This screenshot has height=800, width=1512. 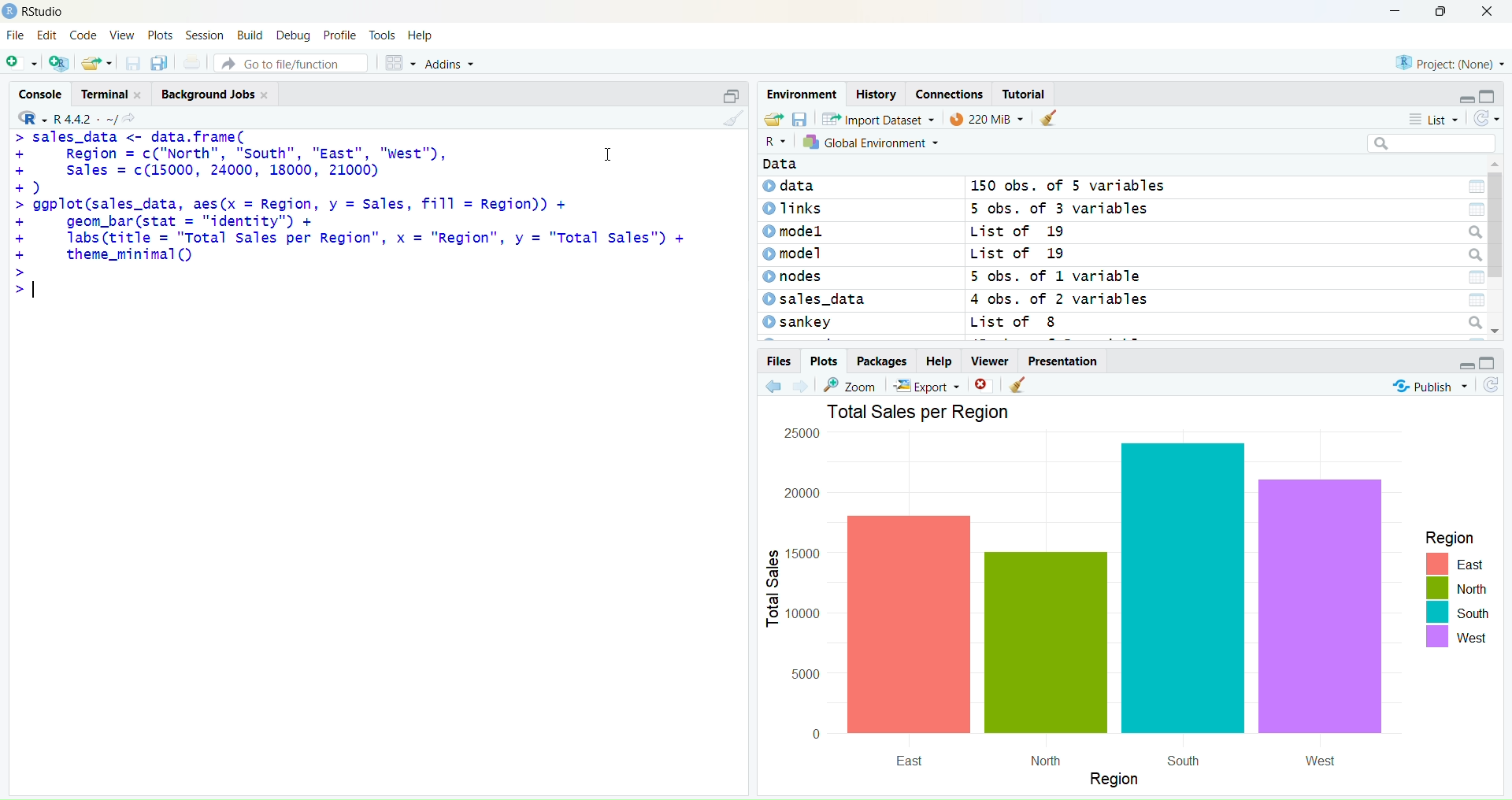 I want to click on Viewer, so click(x=986, y=361).